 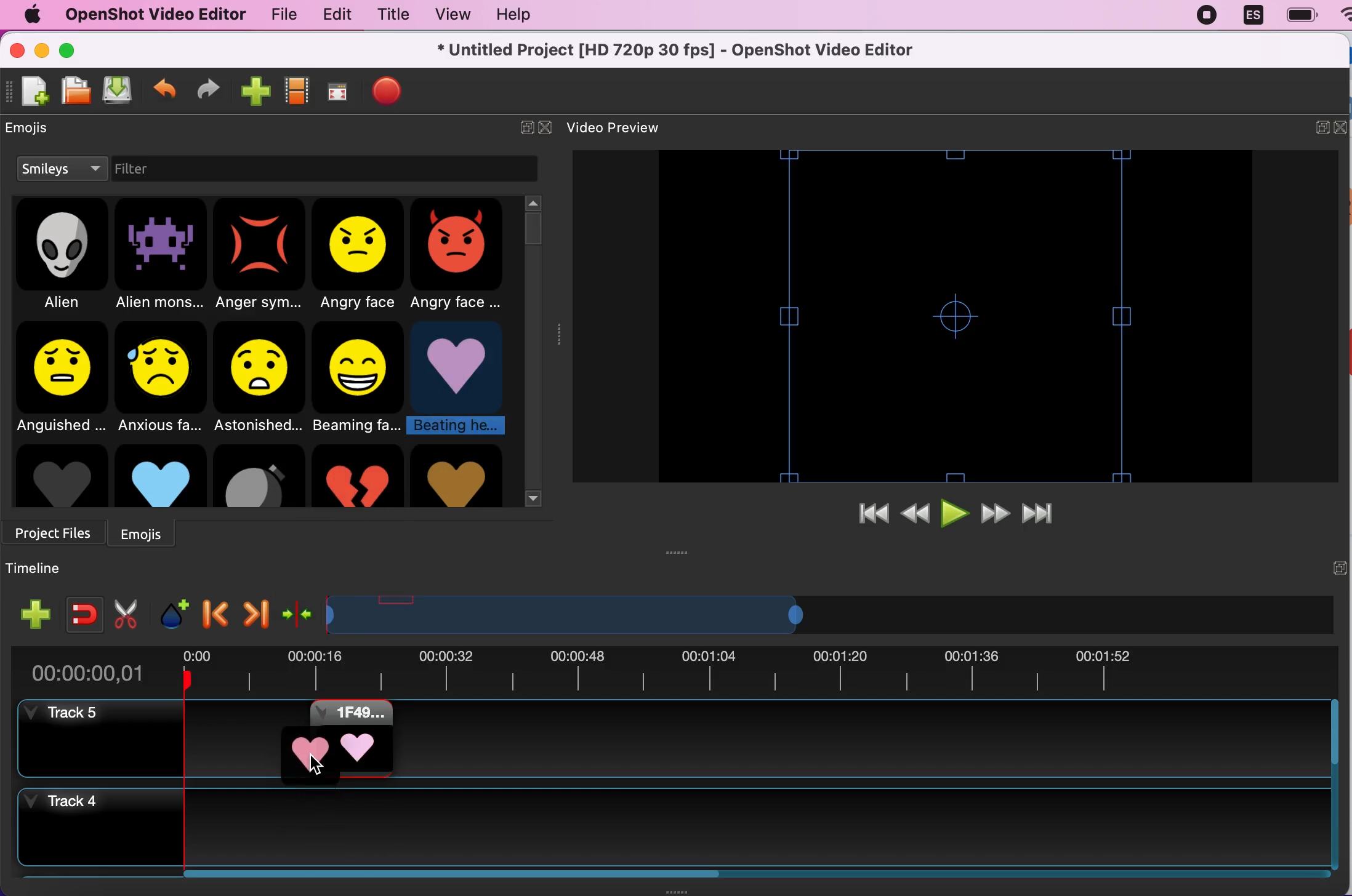 What do you see at coordinates (118, 91) in the screenshot?
I see `save file` at bounding box center [118, 91].